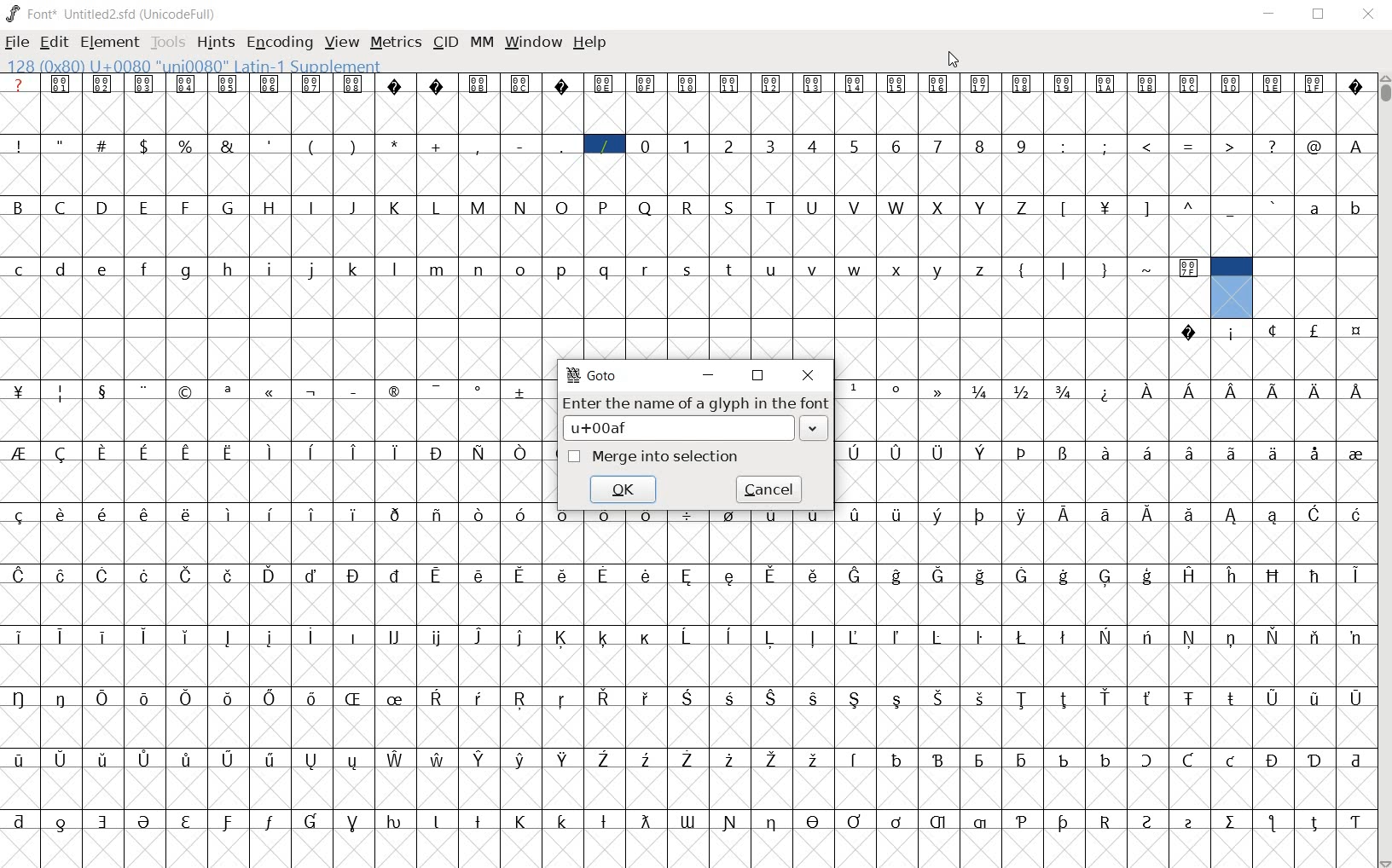  I want to click on Symbol, so click(981, 453).